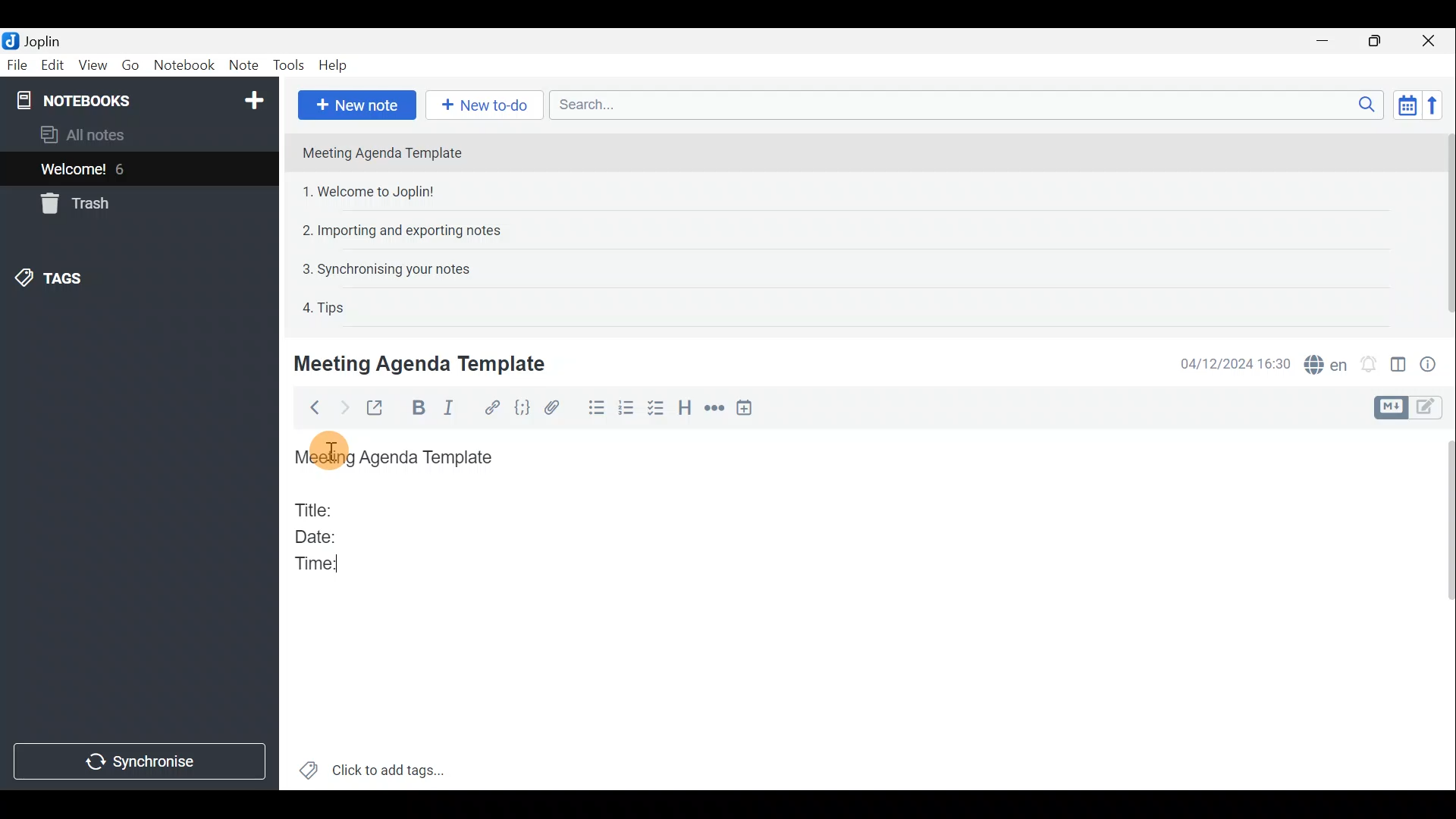  I want to click on Insert time, so click(748, 410).